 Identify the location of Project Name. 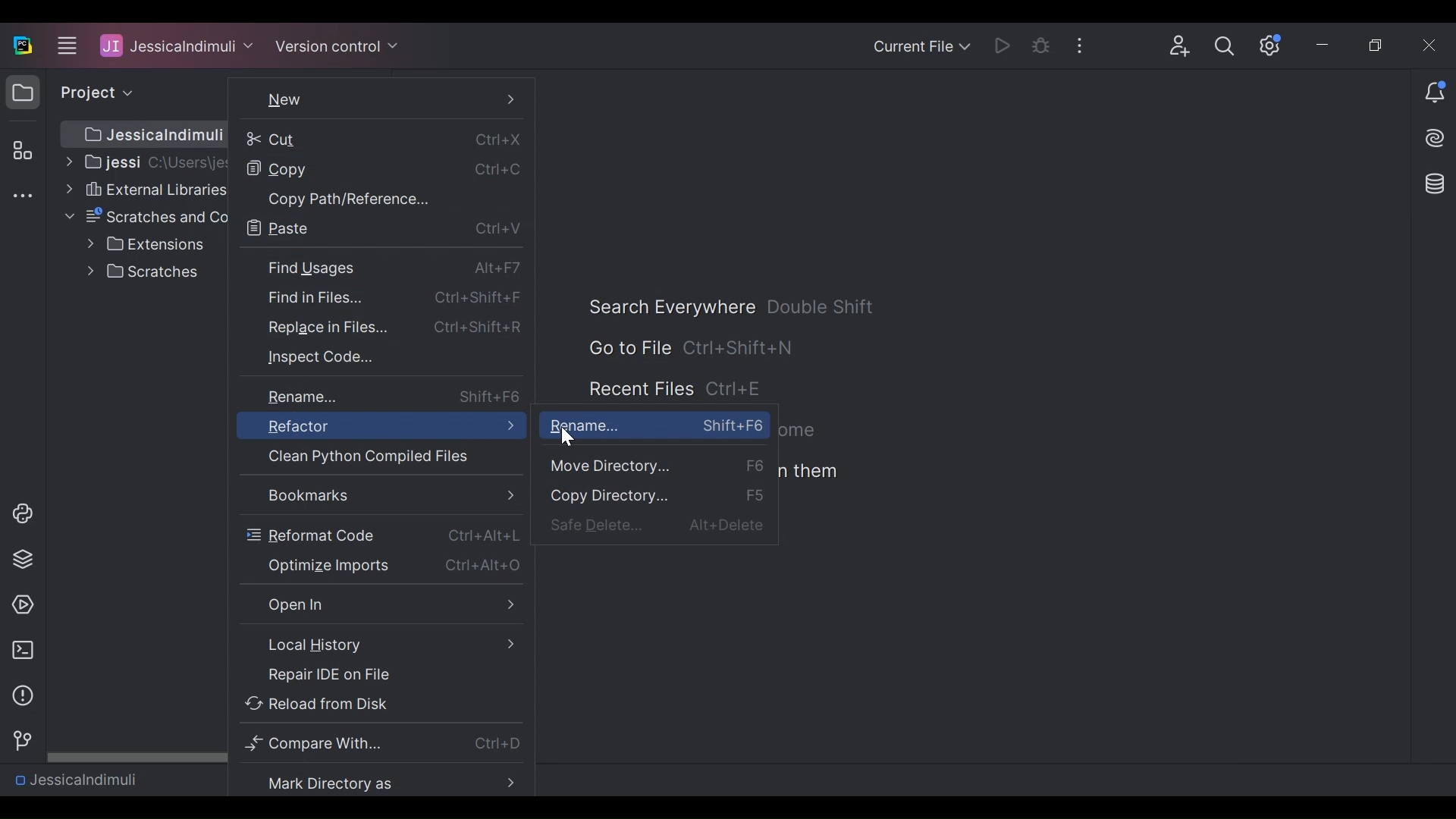
(75, 779).